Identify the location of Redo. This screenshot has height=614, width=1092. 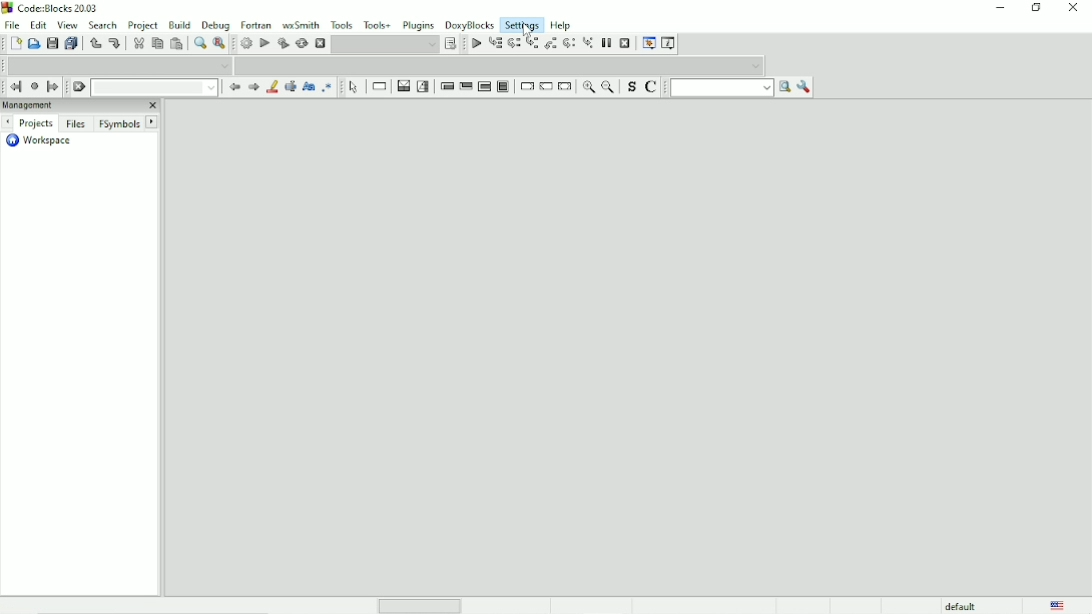
(117, 44).